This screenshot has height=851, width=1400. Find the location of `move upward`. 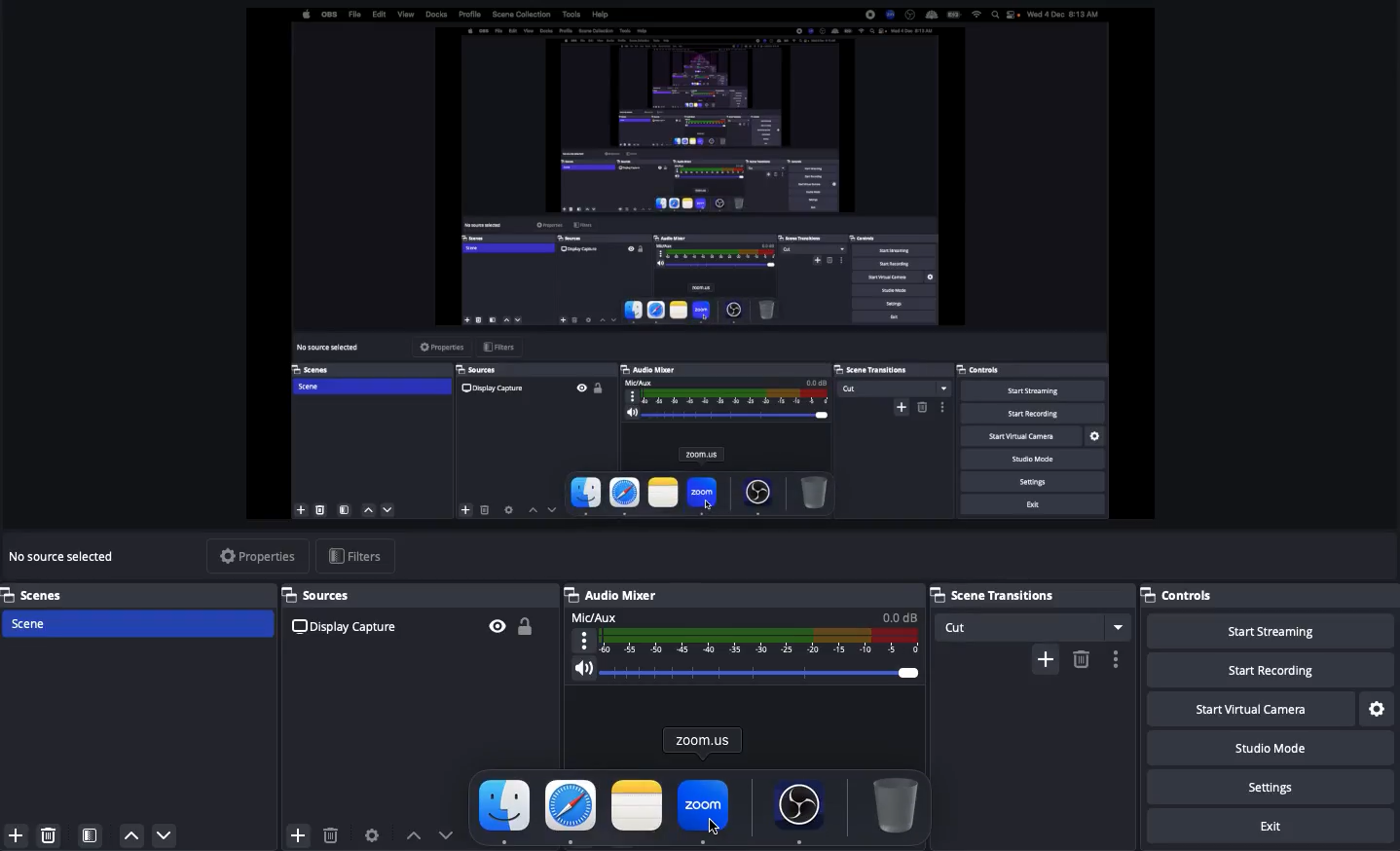

move upward is located at coordinates (409, 832).